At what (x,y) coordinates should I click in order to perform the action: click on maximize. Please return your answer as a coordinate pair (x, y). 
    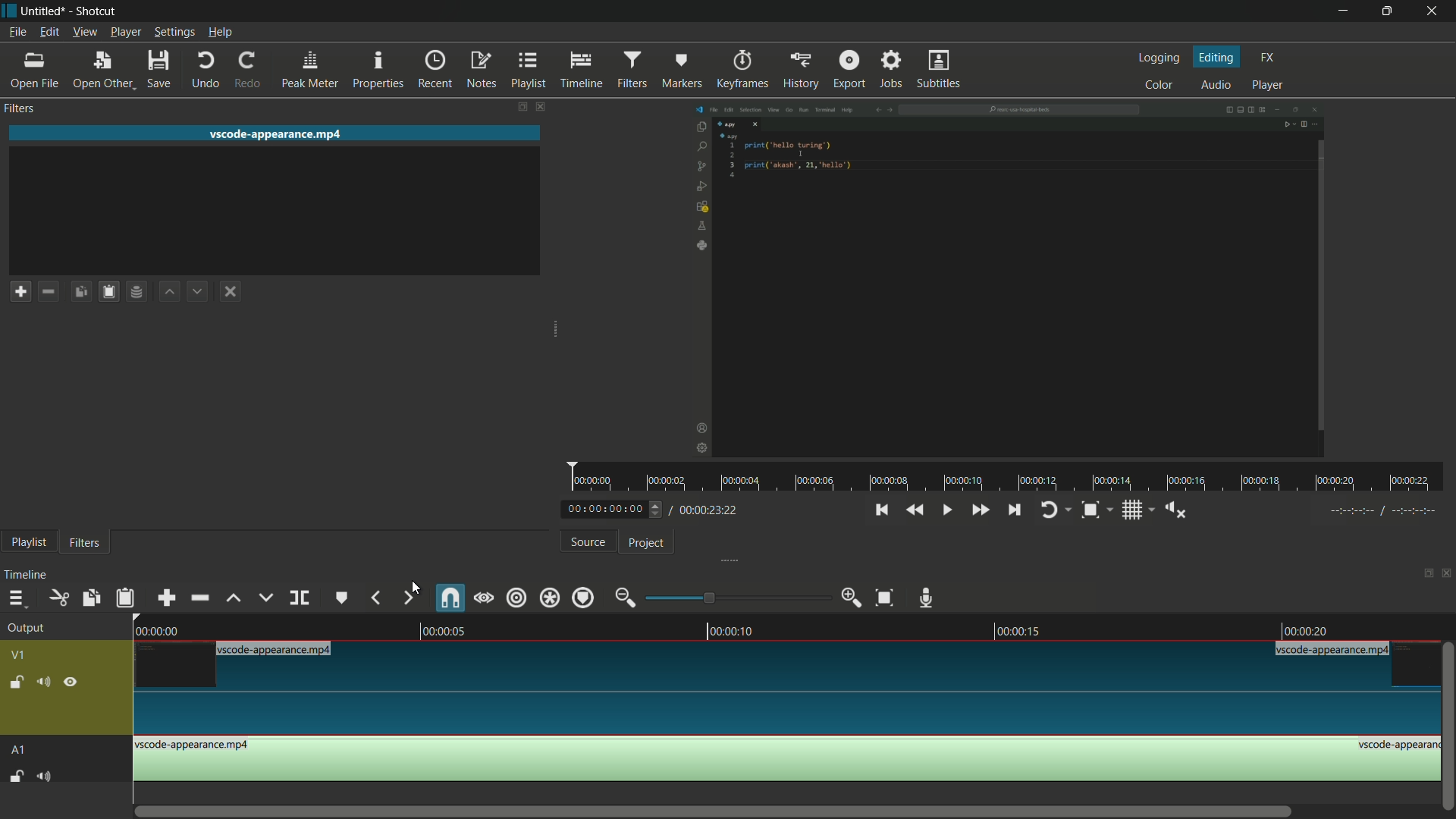
    Looking at the image, I should click on (1385, 11).